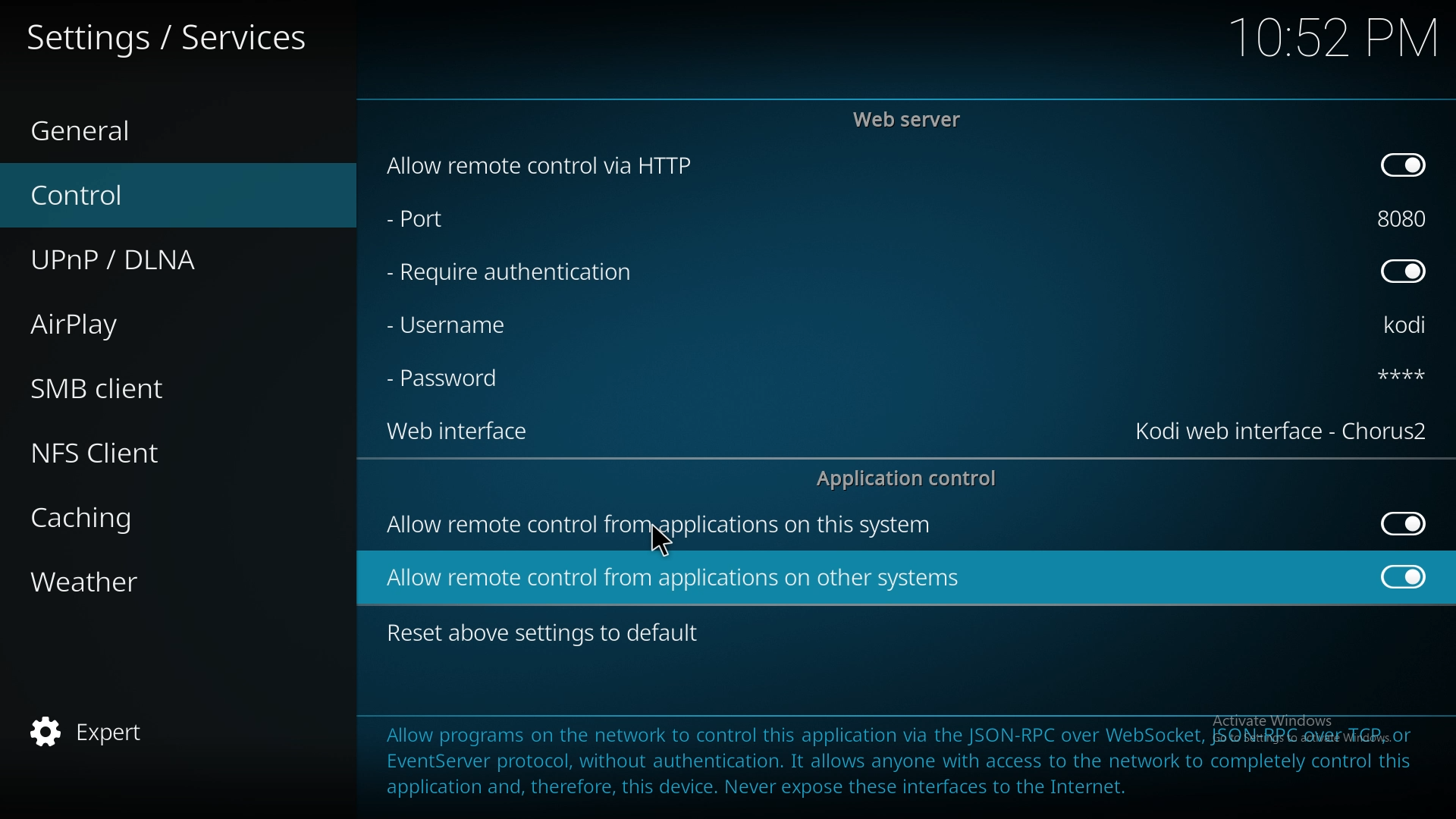 The height and width of the screenshot is (819, 1456). I want to click on smb client, so click(152, 388).